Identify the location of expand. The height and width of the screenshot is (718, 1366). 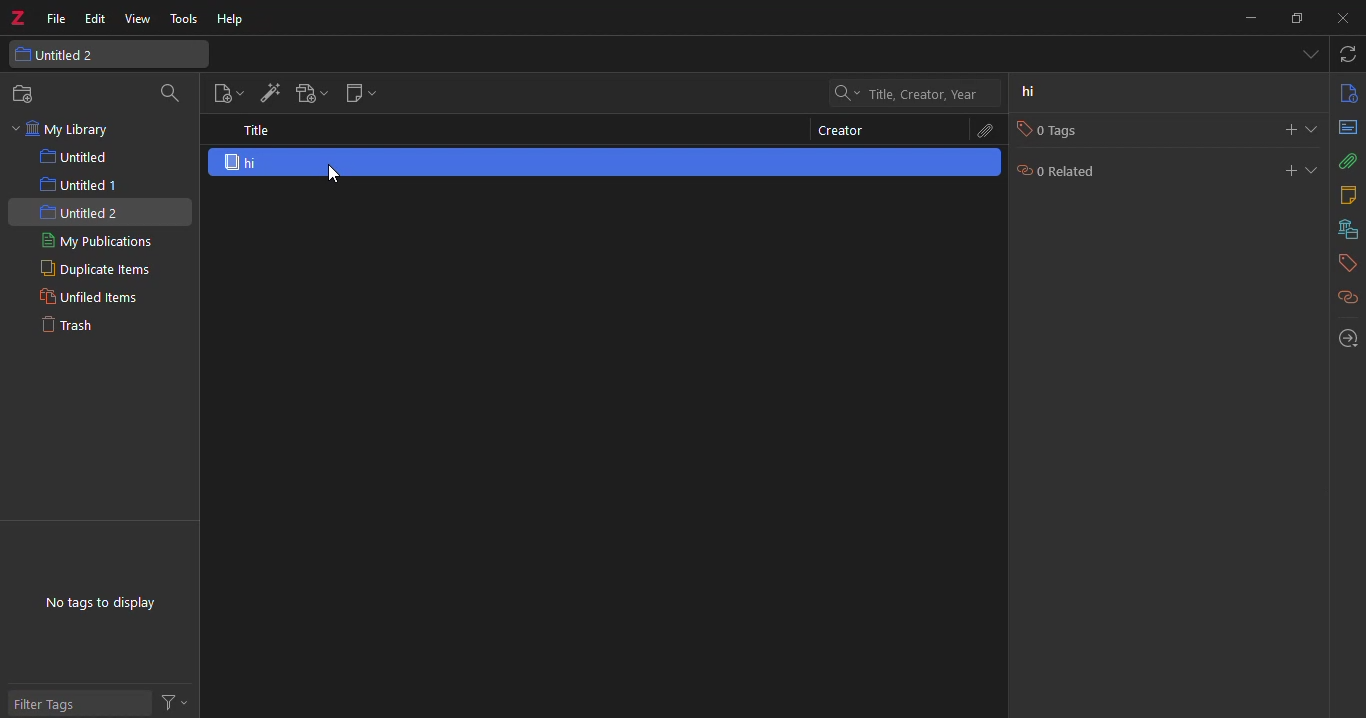
(1315, 169).